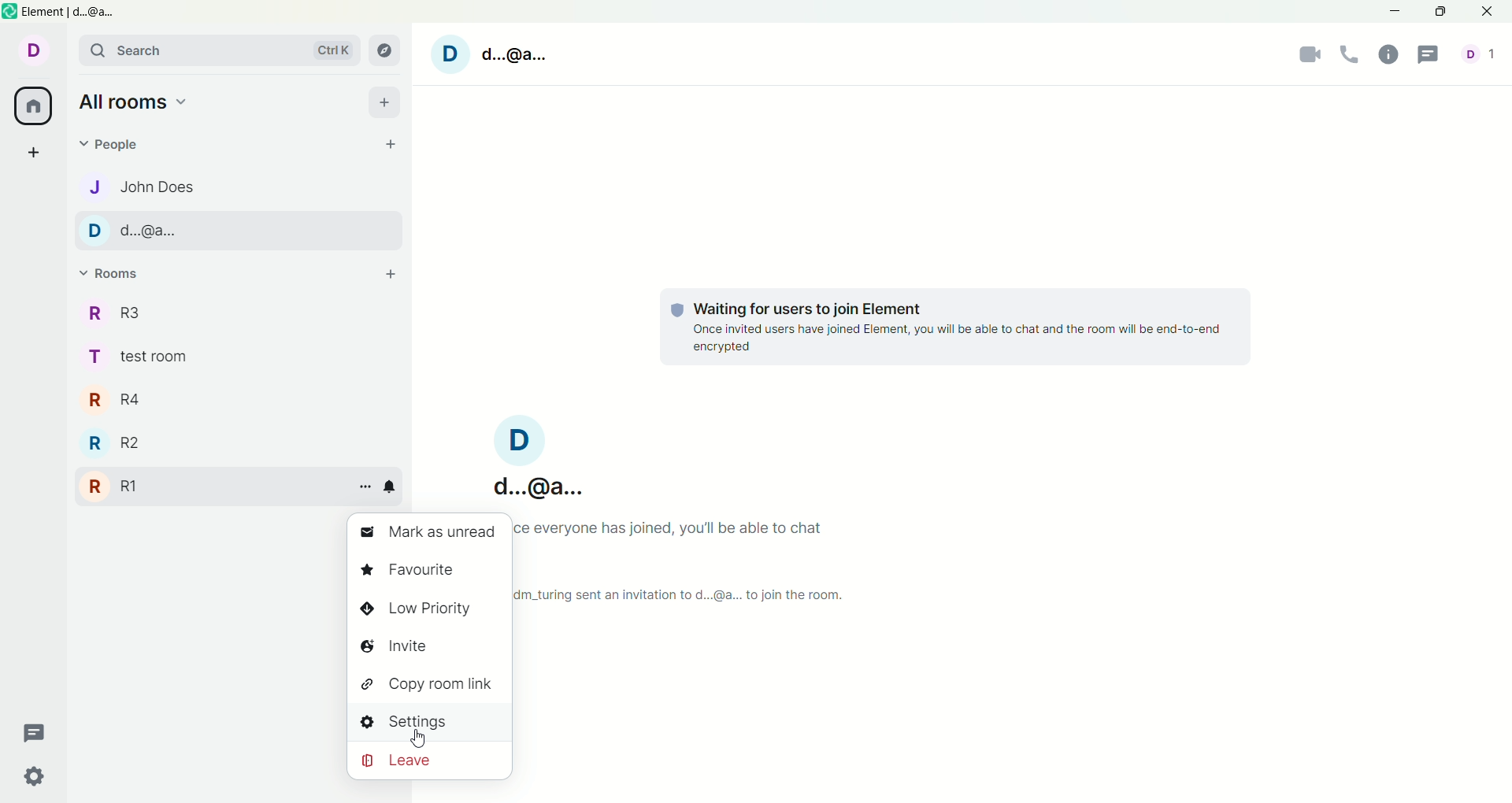 This screenshot has width=1512, height=803. I want to click on close, so click(1486, 12).